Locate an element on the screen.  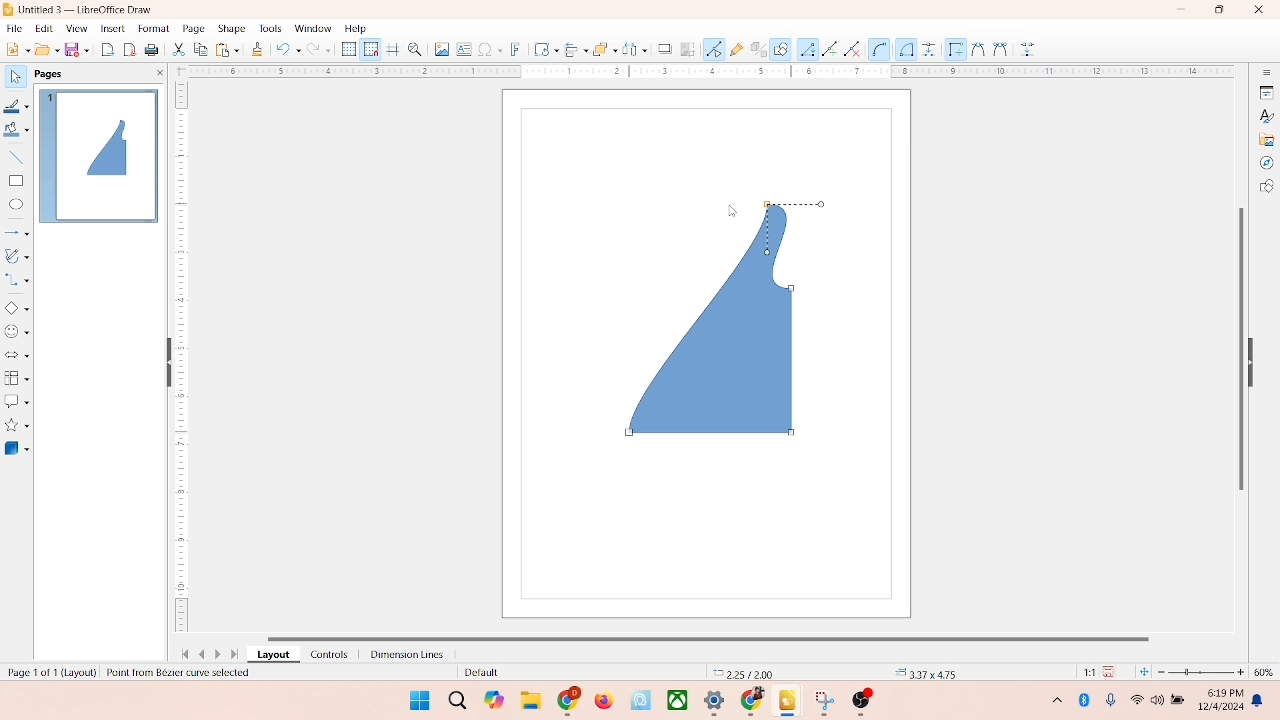
toggle extrusion is located at coordinates (753, 50).